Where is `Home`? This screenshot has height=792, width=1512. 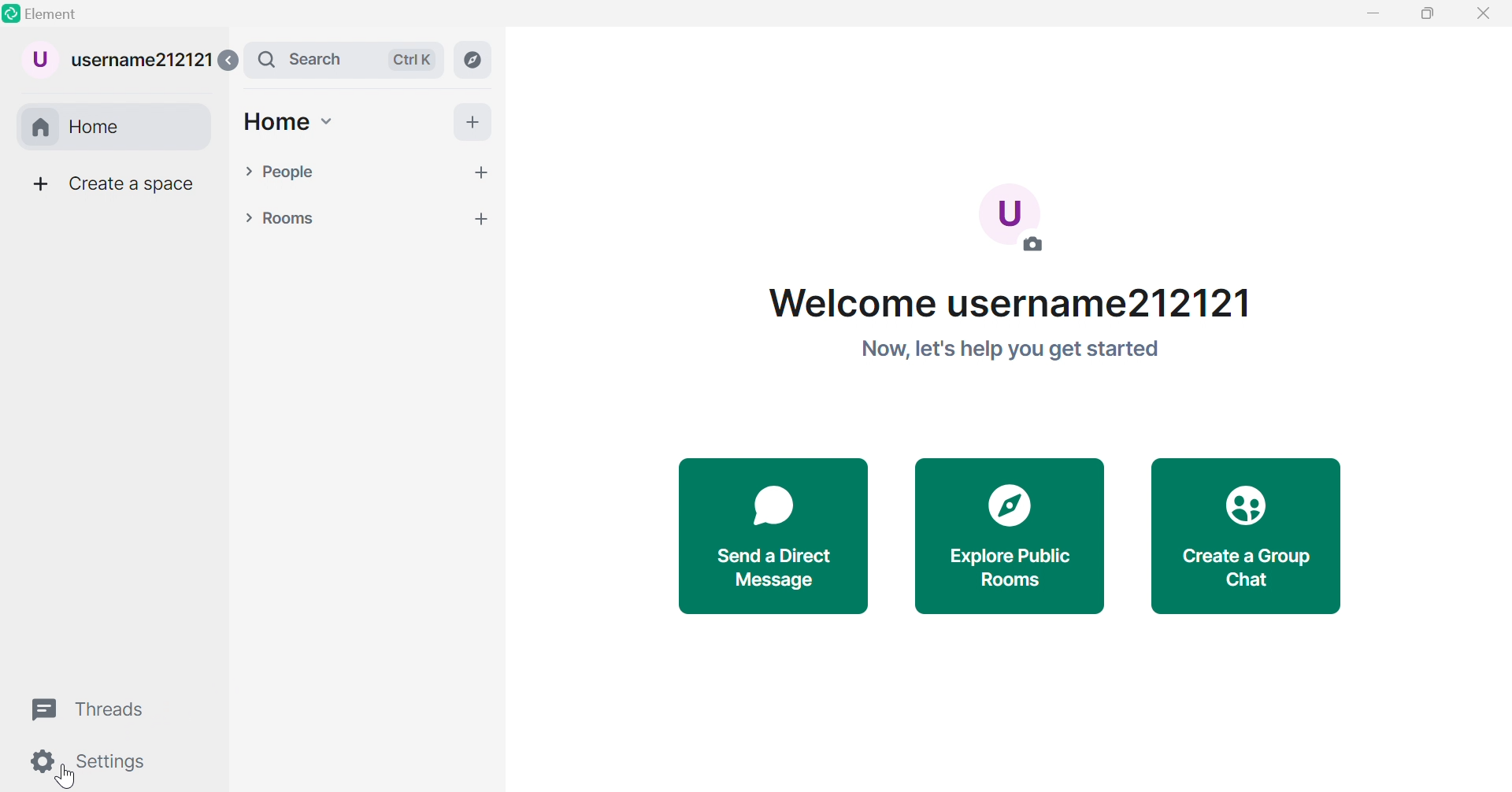
Home is located at coordinates (119, 128).